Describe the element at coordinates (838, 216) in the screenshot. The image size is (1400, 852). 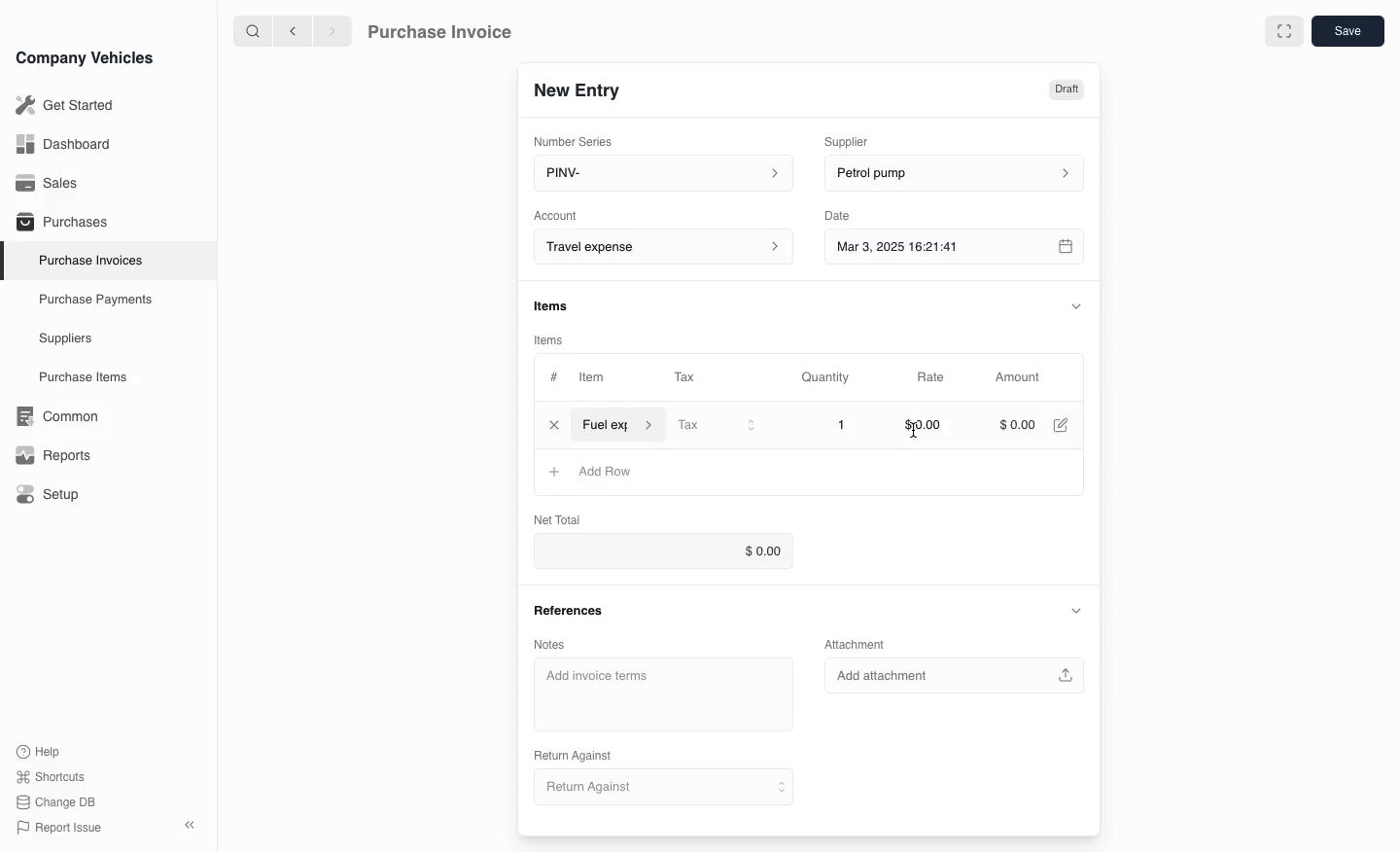
I see `Date` at that location.